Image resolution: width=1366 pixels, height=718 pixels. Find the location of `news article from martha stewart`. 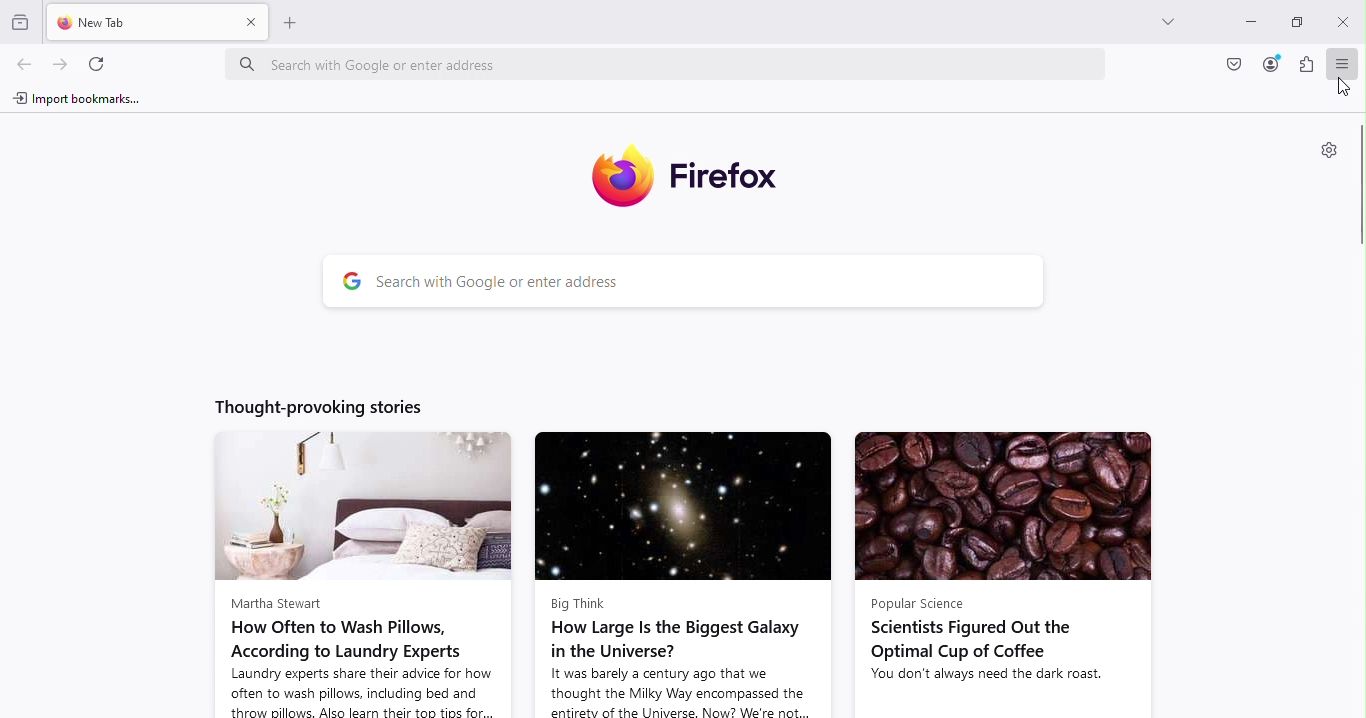

news article from martha stewart is located at coordinates (357, 574).